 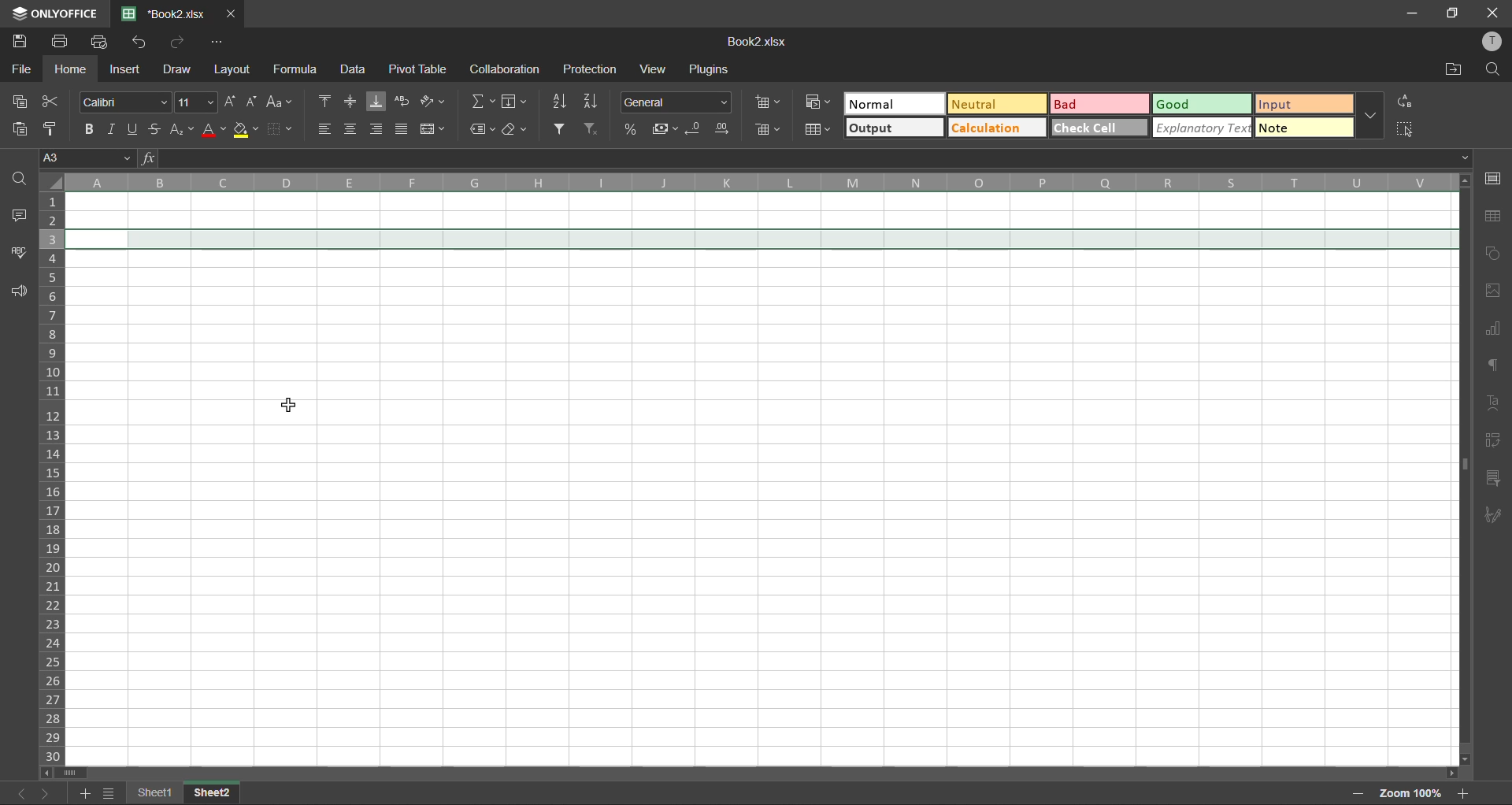 I want to click on find, so click(x=21, y=180).